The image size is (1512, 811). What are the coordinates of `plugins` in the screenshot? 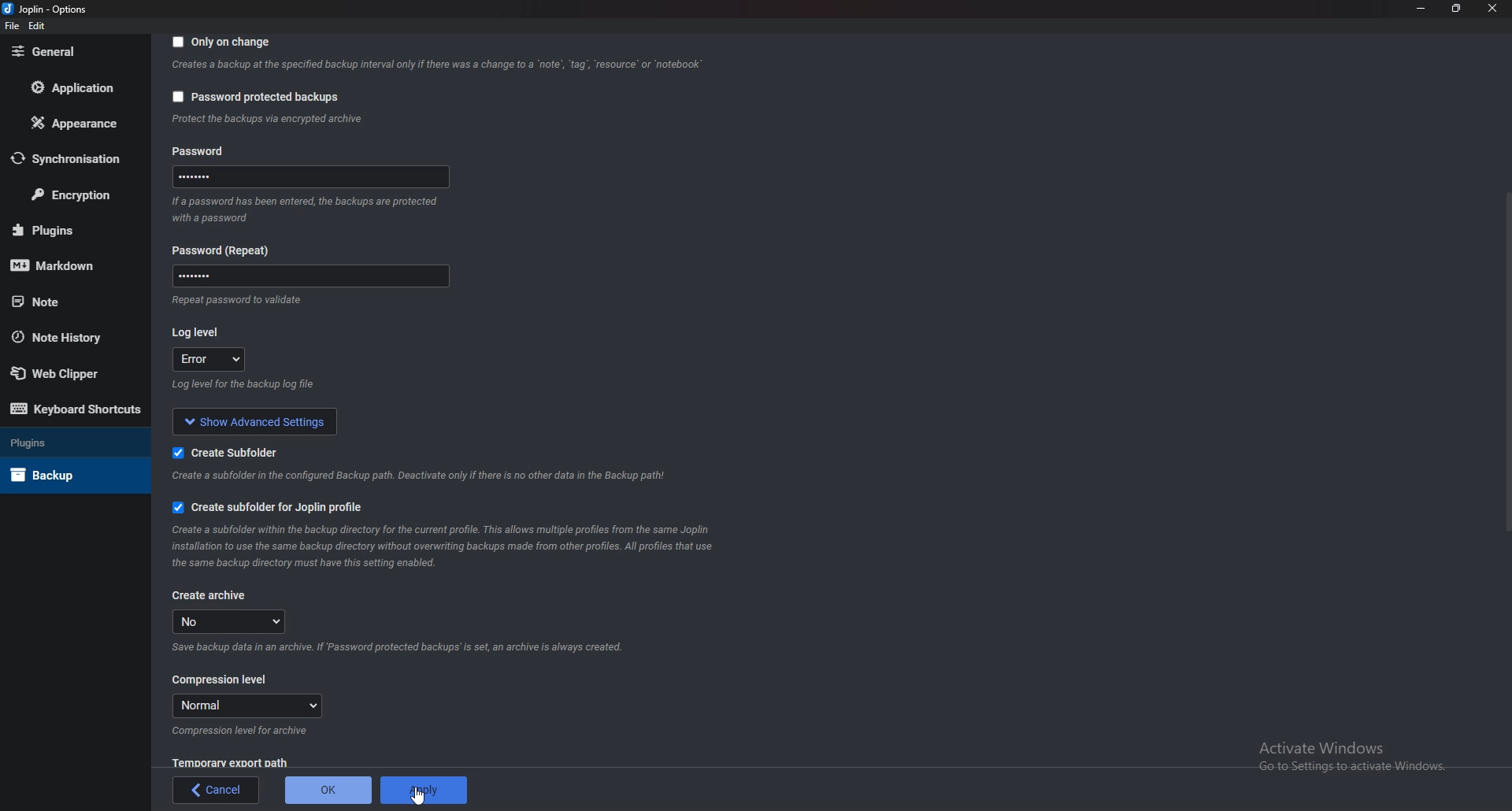 It's located at (66, 229).